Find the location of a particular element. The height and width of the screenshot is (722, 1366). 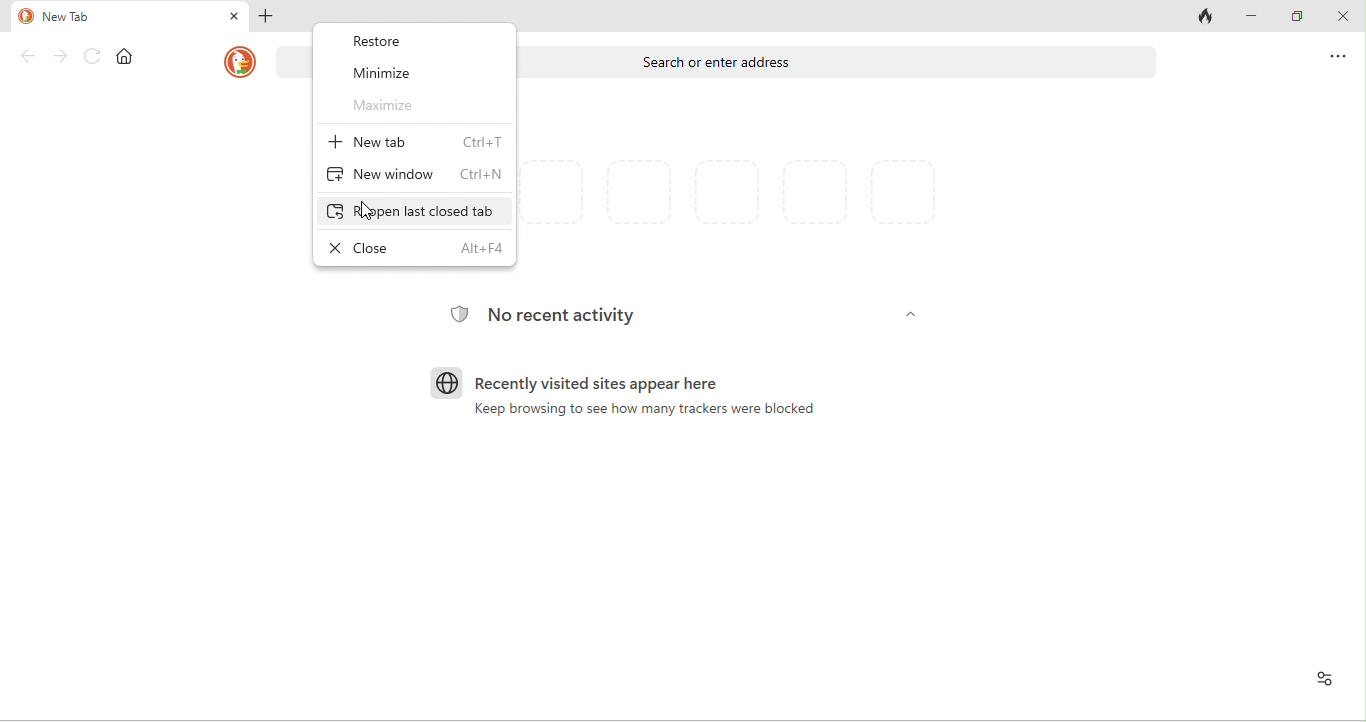

recently visited sites apear here is located at coordinates (653, 382).